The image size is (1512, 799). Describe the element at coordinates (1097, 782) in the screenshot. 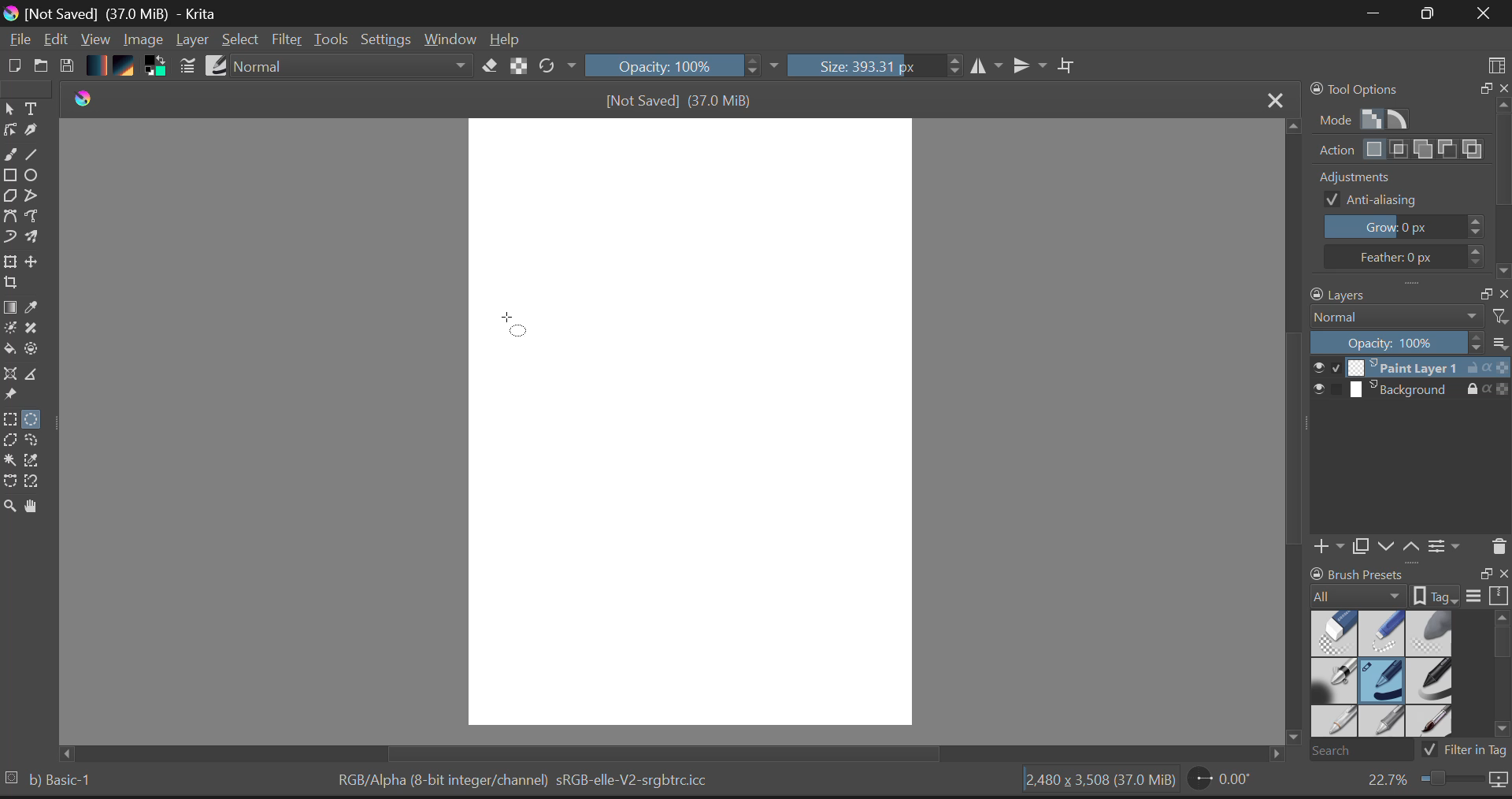

I see `Document Dimensions` at that location.